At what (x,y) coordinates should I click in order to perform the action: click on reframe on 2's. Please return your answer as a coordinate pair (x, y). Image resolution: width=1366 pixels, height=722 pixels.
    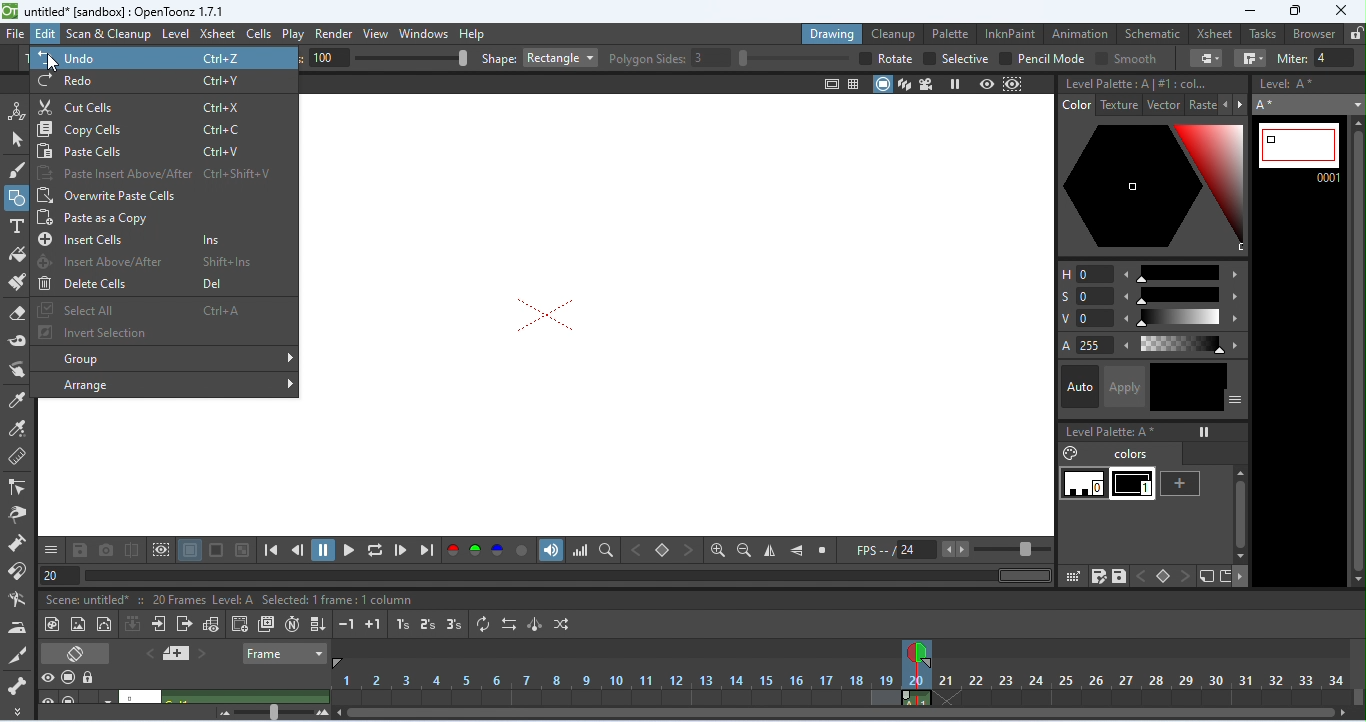
    Looking at the image, I should click on (428, 623).